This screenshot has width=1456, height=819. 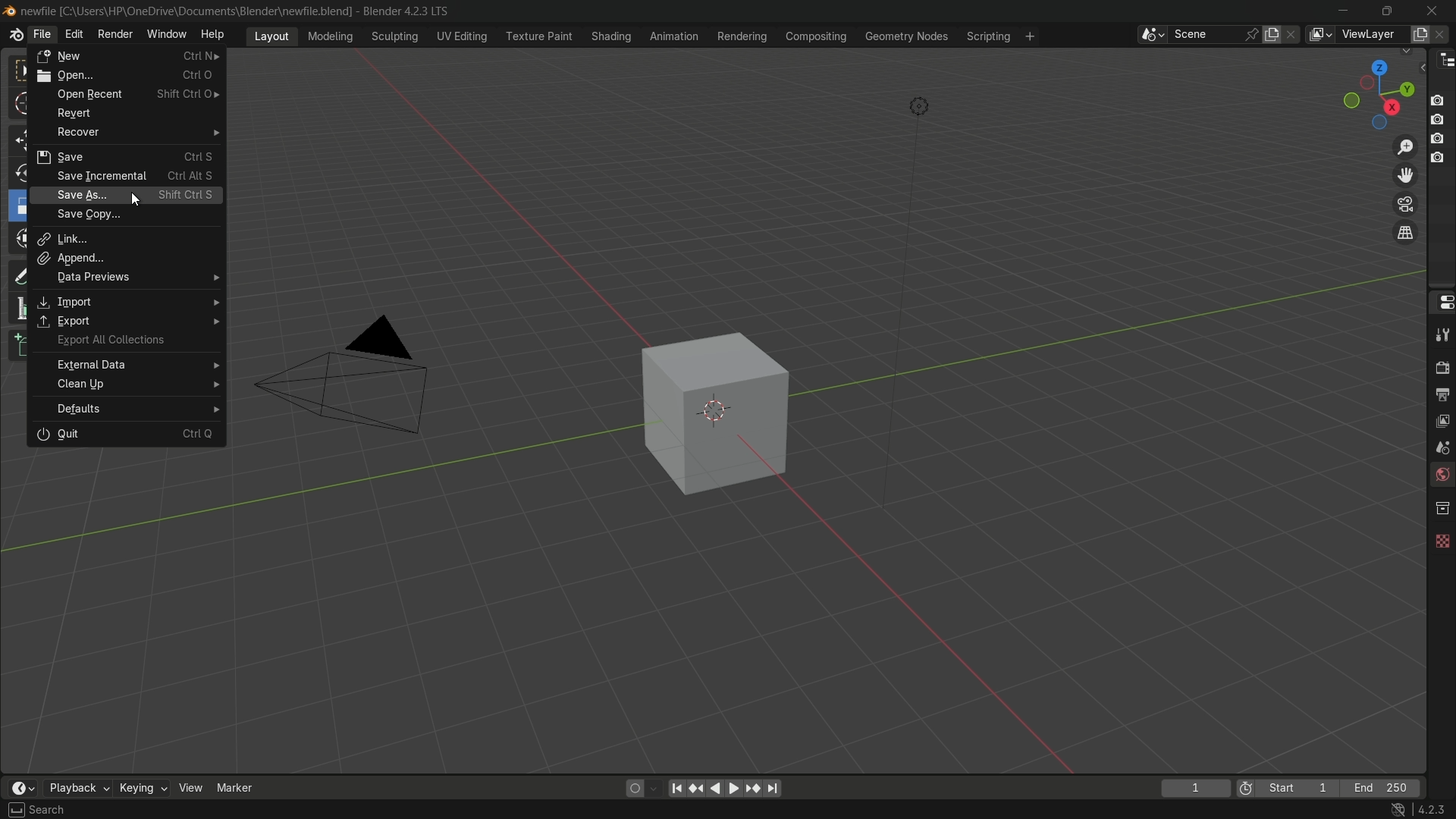 I want to click on marker, so click(x=246, y=786).